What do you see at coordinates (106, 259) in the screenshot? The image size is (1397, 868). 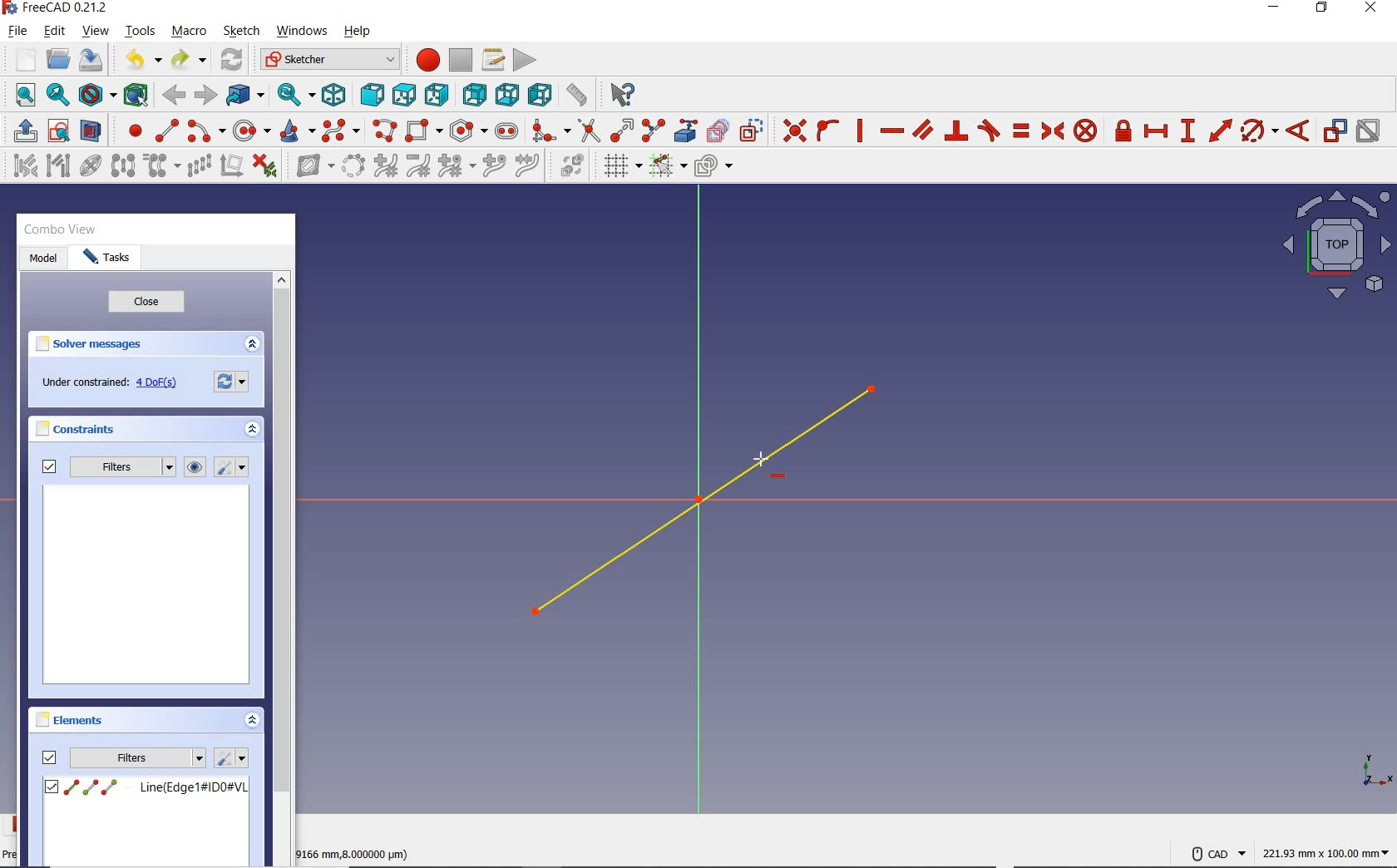 I see `TASKS` at bounding box center [106, 259].